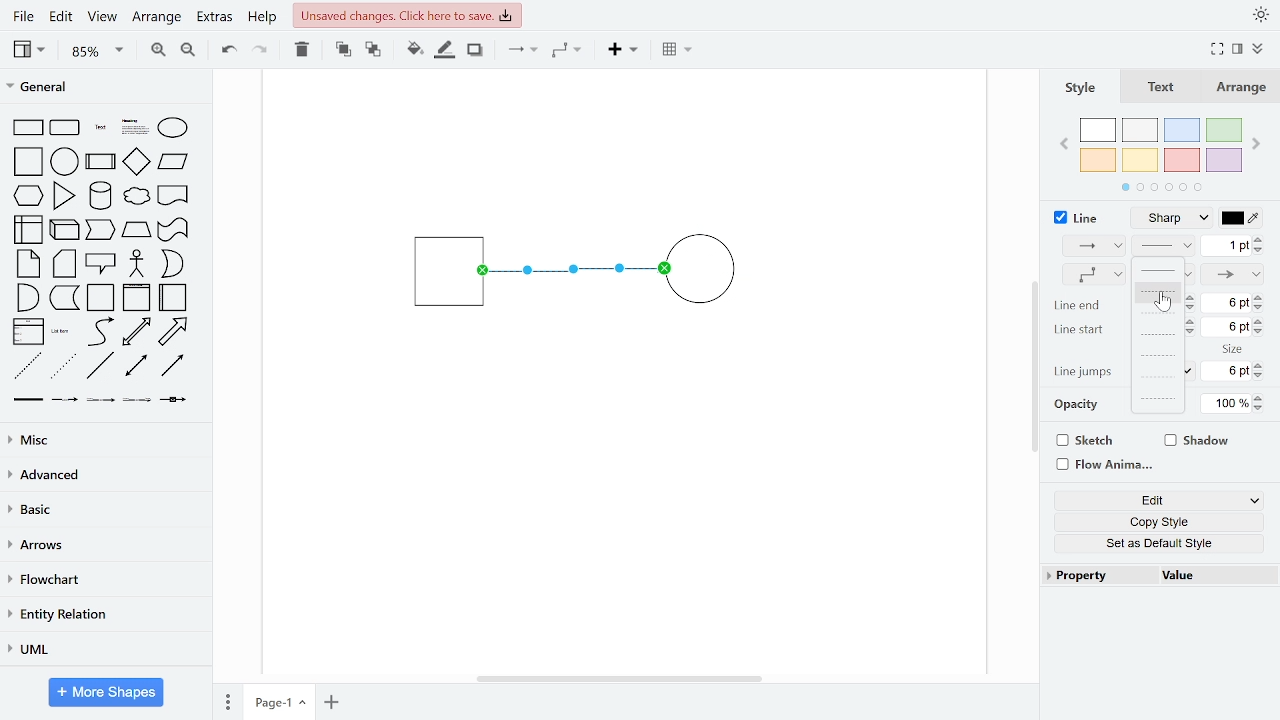  I want to click on horizontal container, so click(174, 297).